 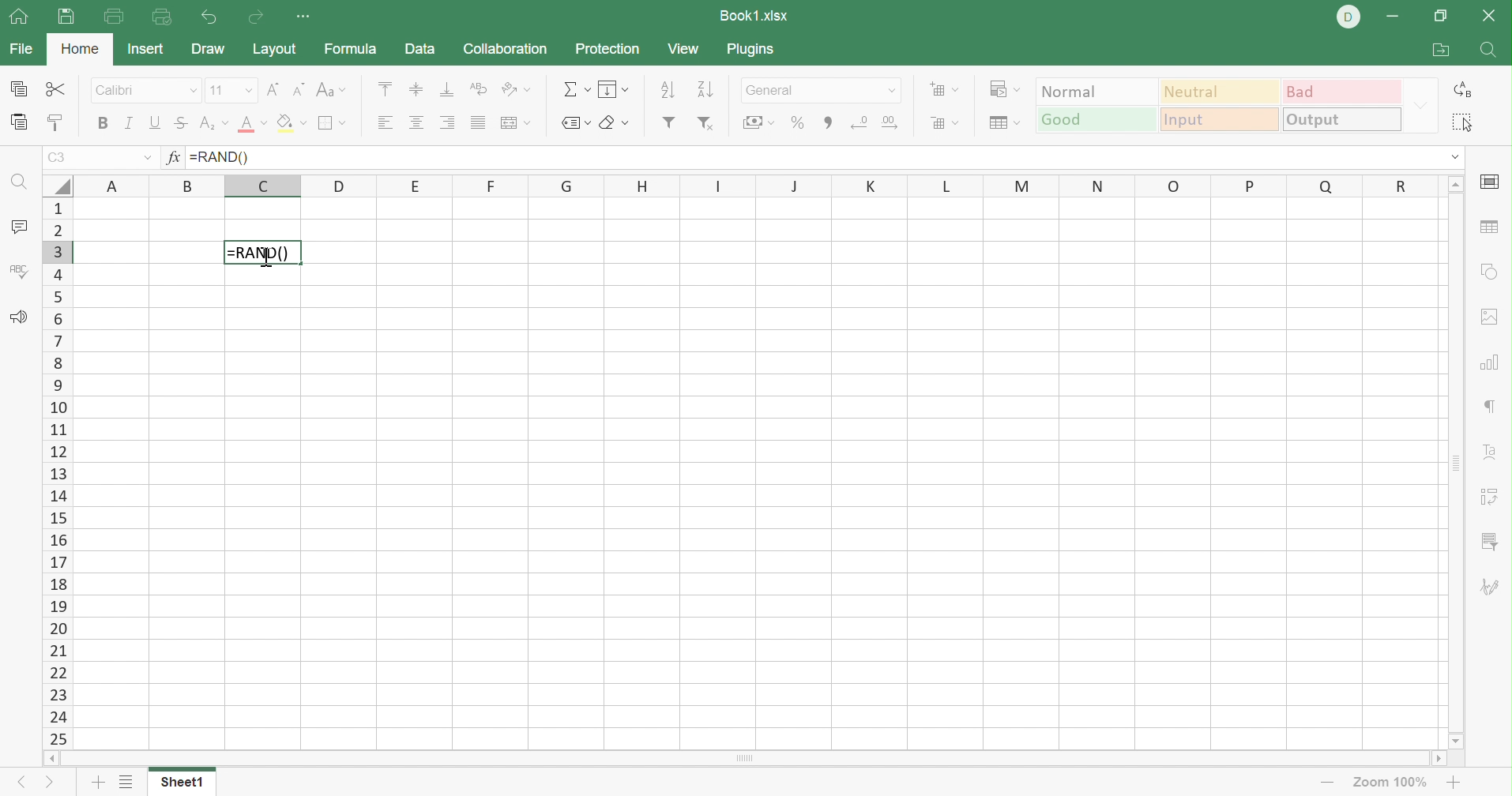 I want to click on Scroll right, so click(x=1439, y=758).